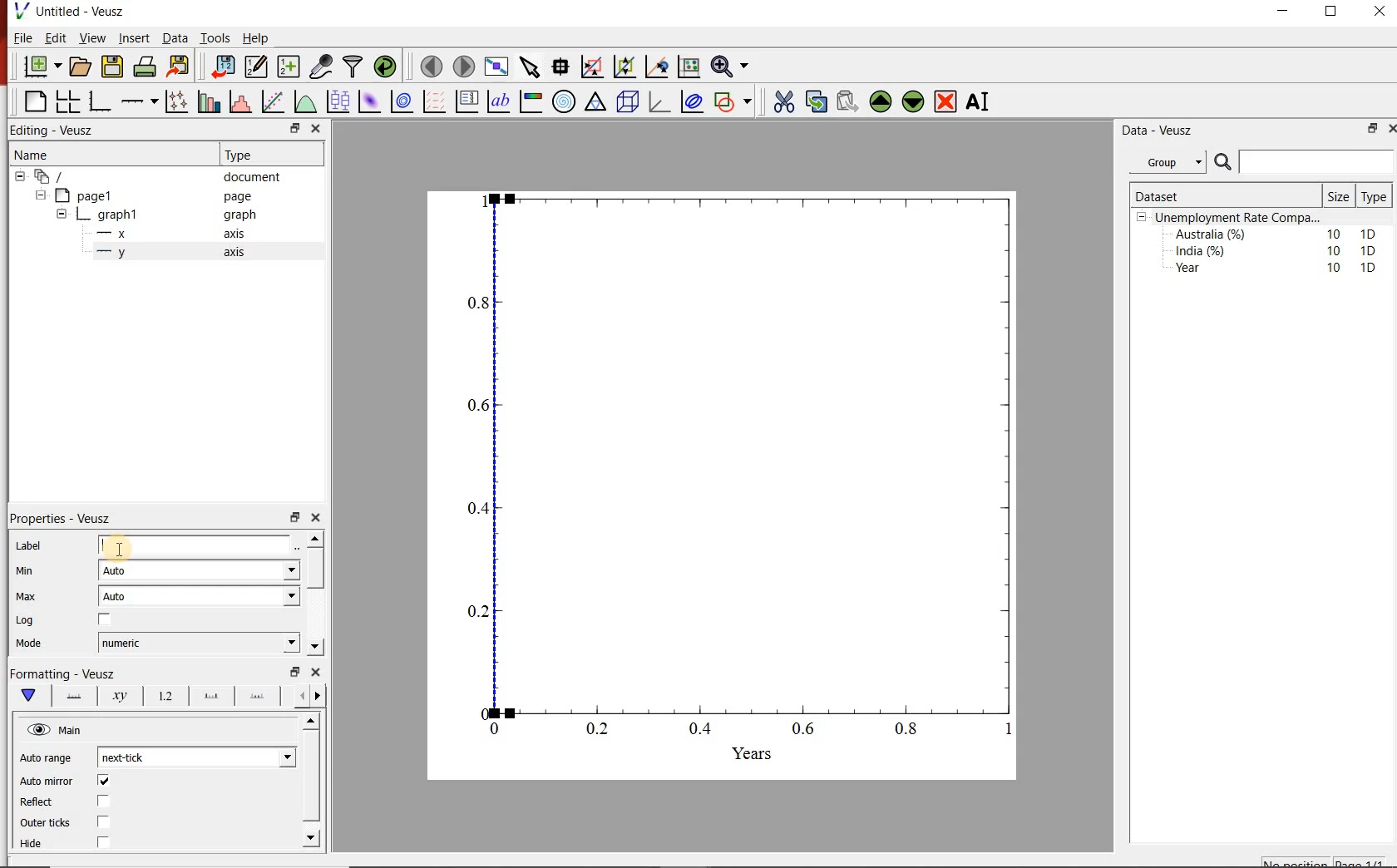 This screenshot has height=868, width=1397. Describe the element at coordinates (34, 598) in the screenshot. I see `Max` at that location.